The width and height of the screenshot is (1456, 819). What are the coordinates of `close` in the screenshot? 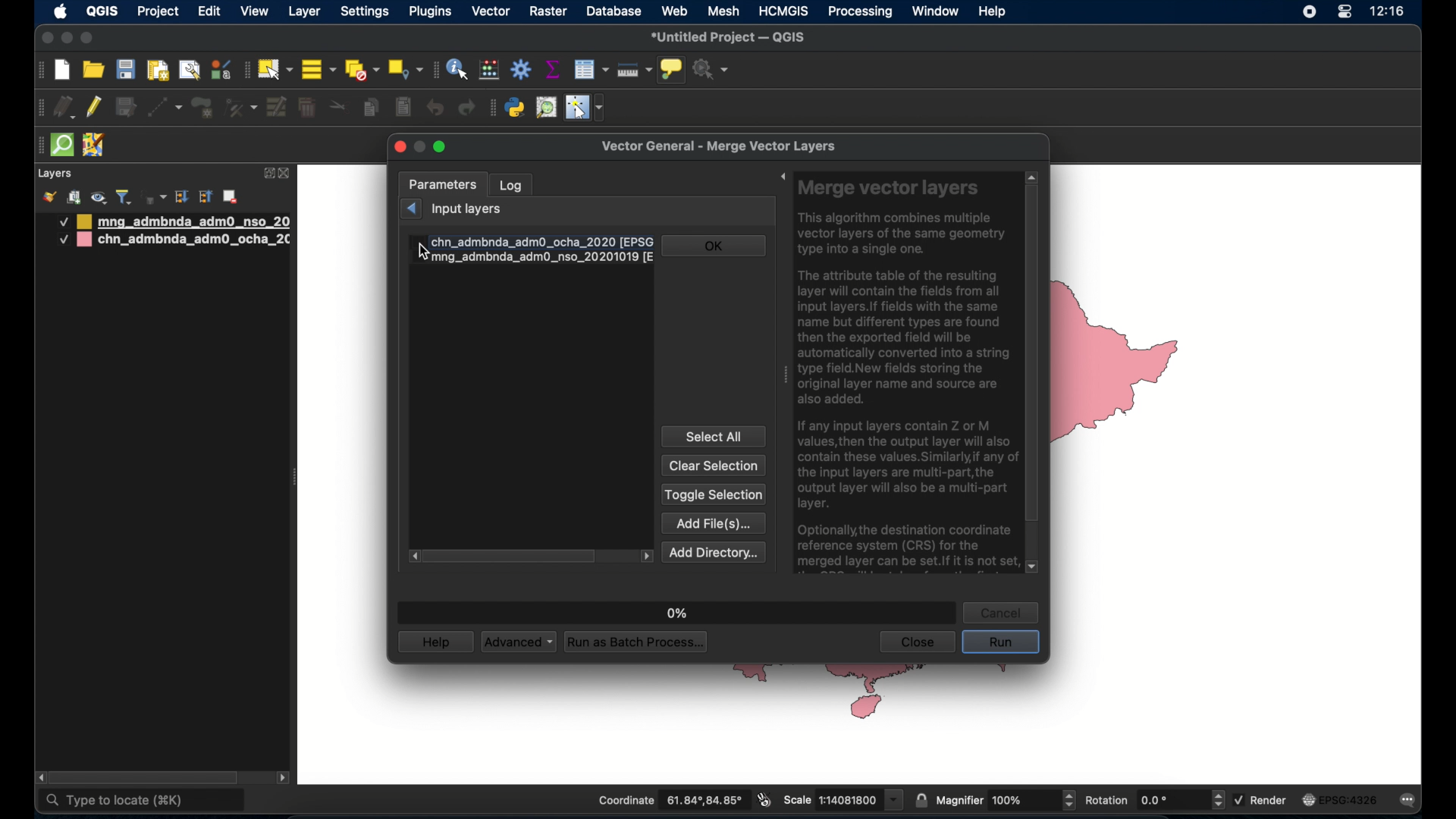 It's located at (916, 642).